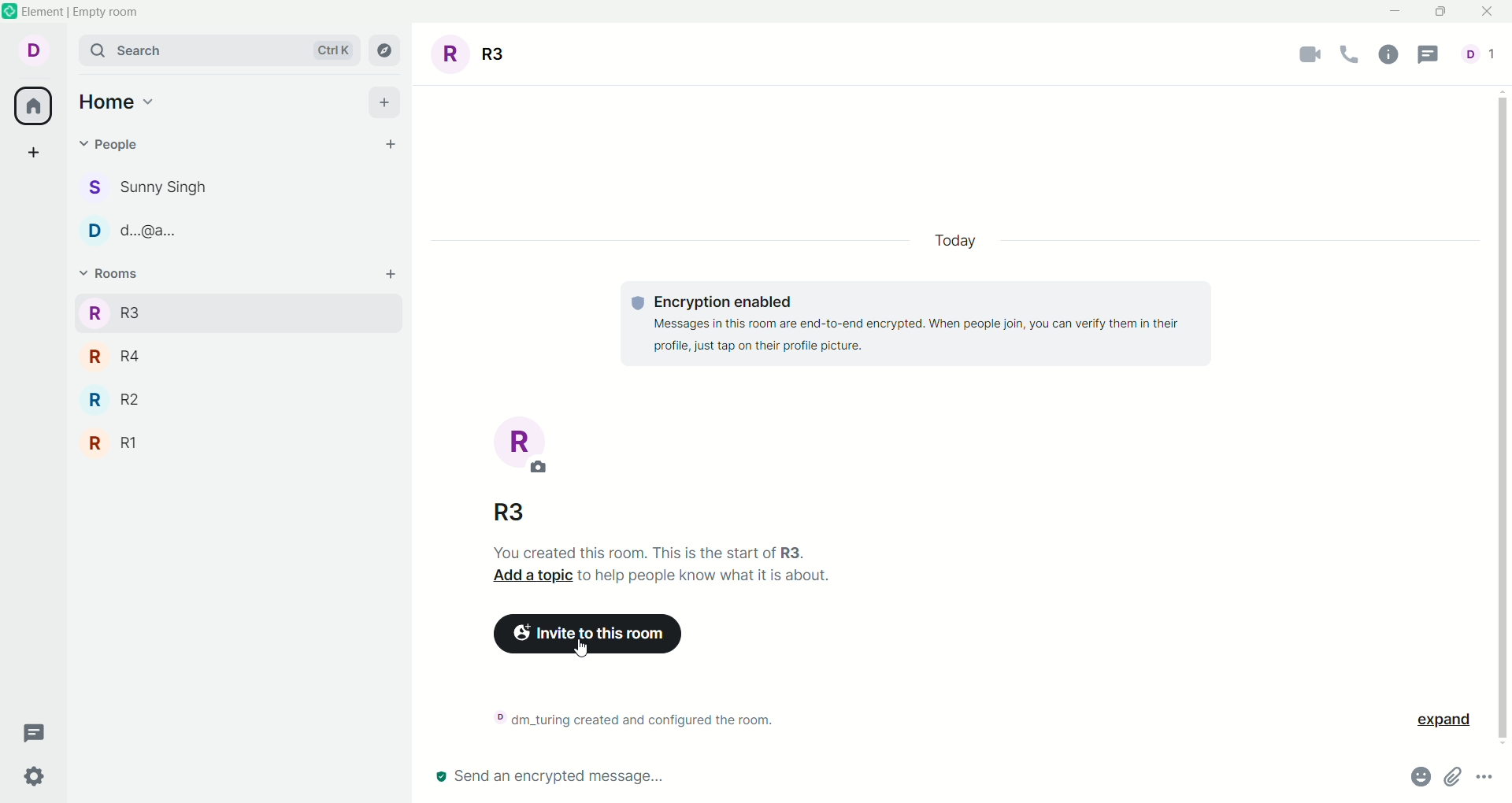 The width and height of the screenshot is (1512, 803). I want to click on emoji, so click(1414, 778).